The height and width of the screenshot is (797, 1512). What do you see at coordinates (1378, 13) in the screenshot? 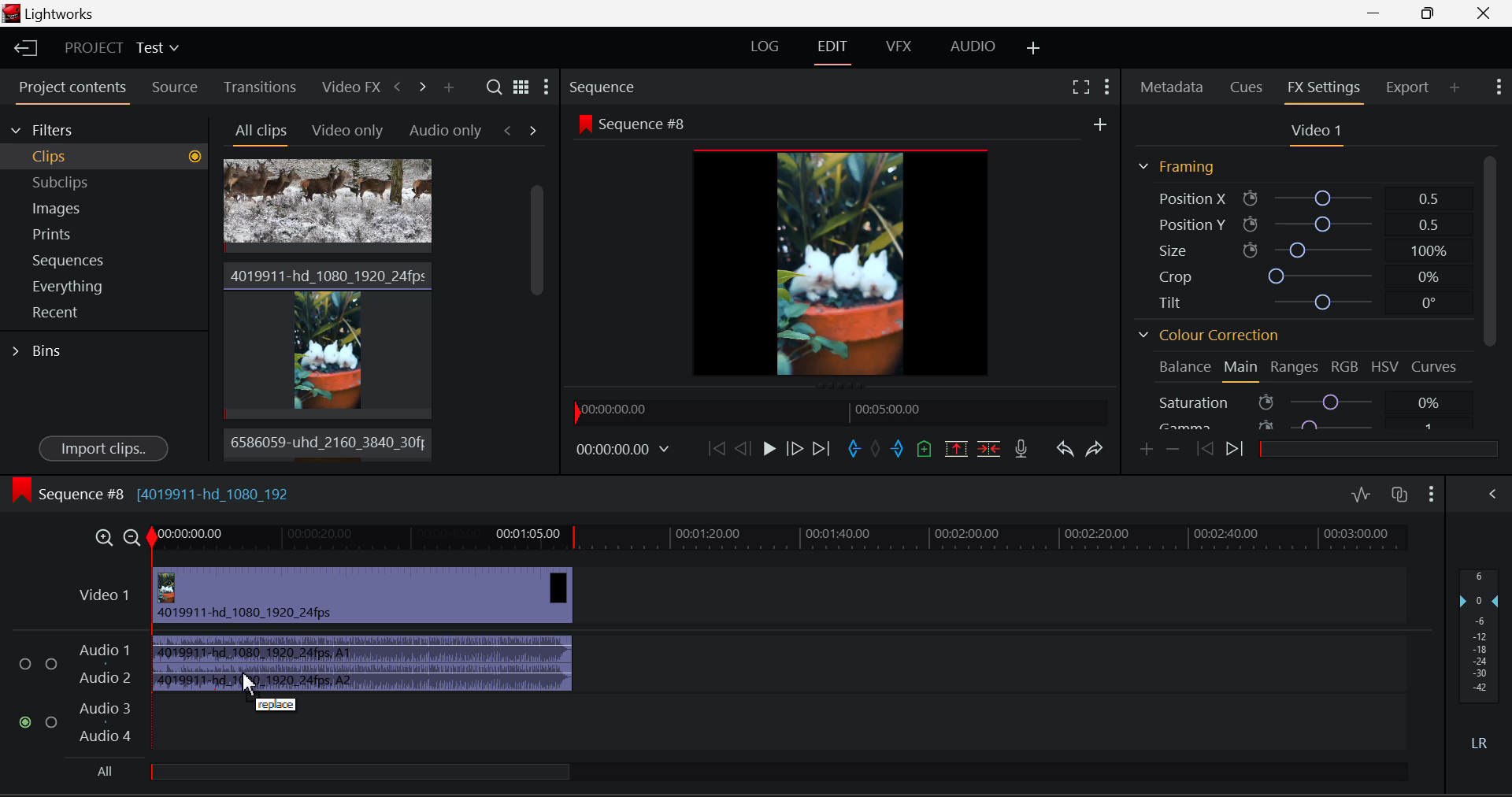
I see `Restore Down` at bounding box center [1378, 13].